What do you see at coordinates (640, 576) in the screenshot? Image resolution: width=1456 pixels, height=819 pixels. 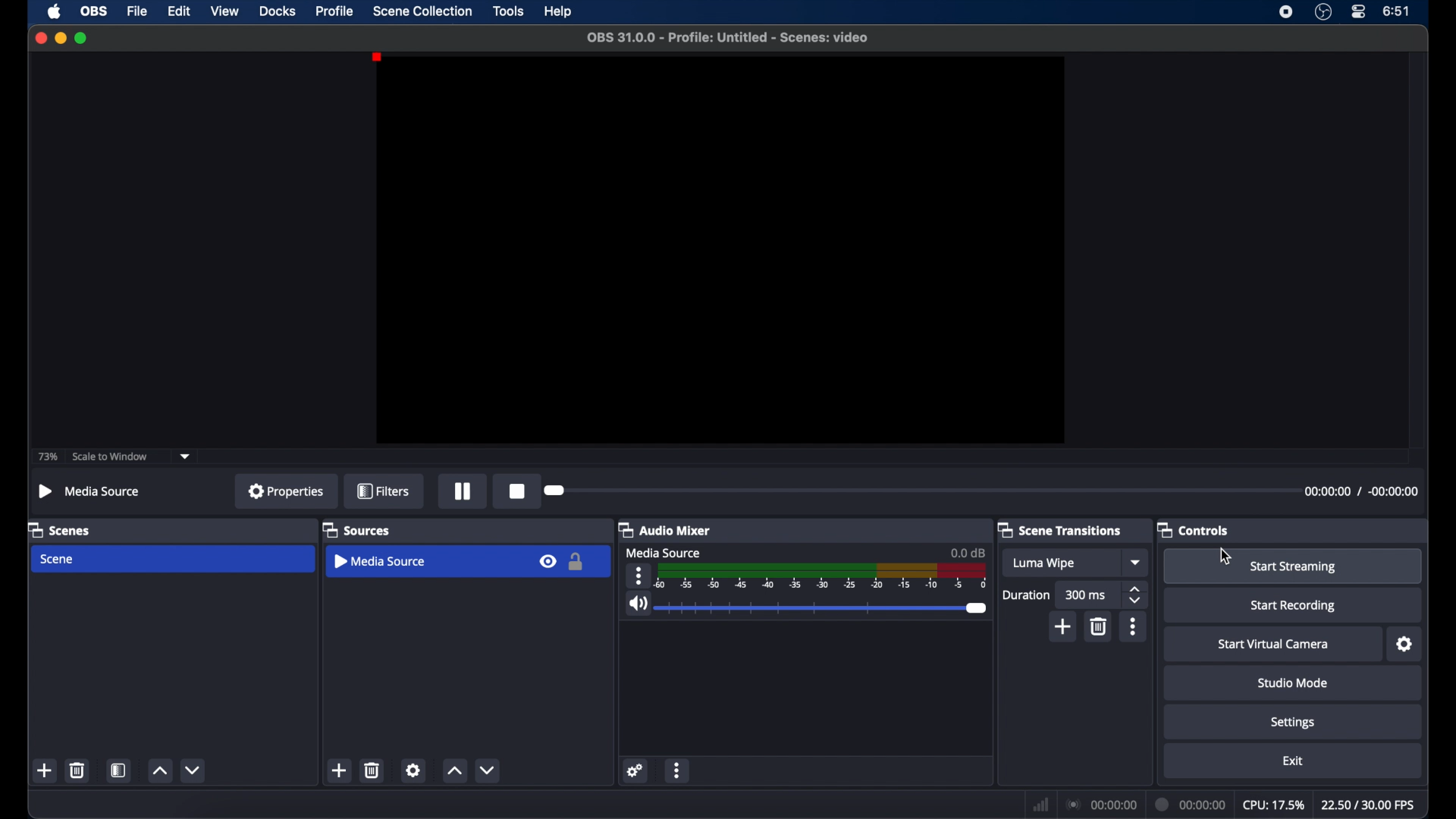 I see `more options` at bounding box center [640, 576].